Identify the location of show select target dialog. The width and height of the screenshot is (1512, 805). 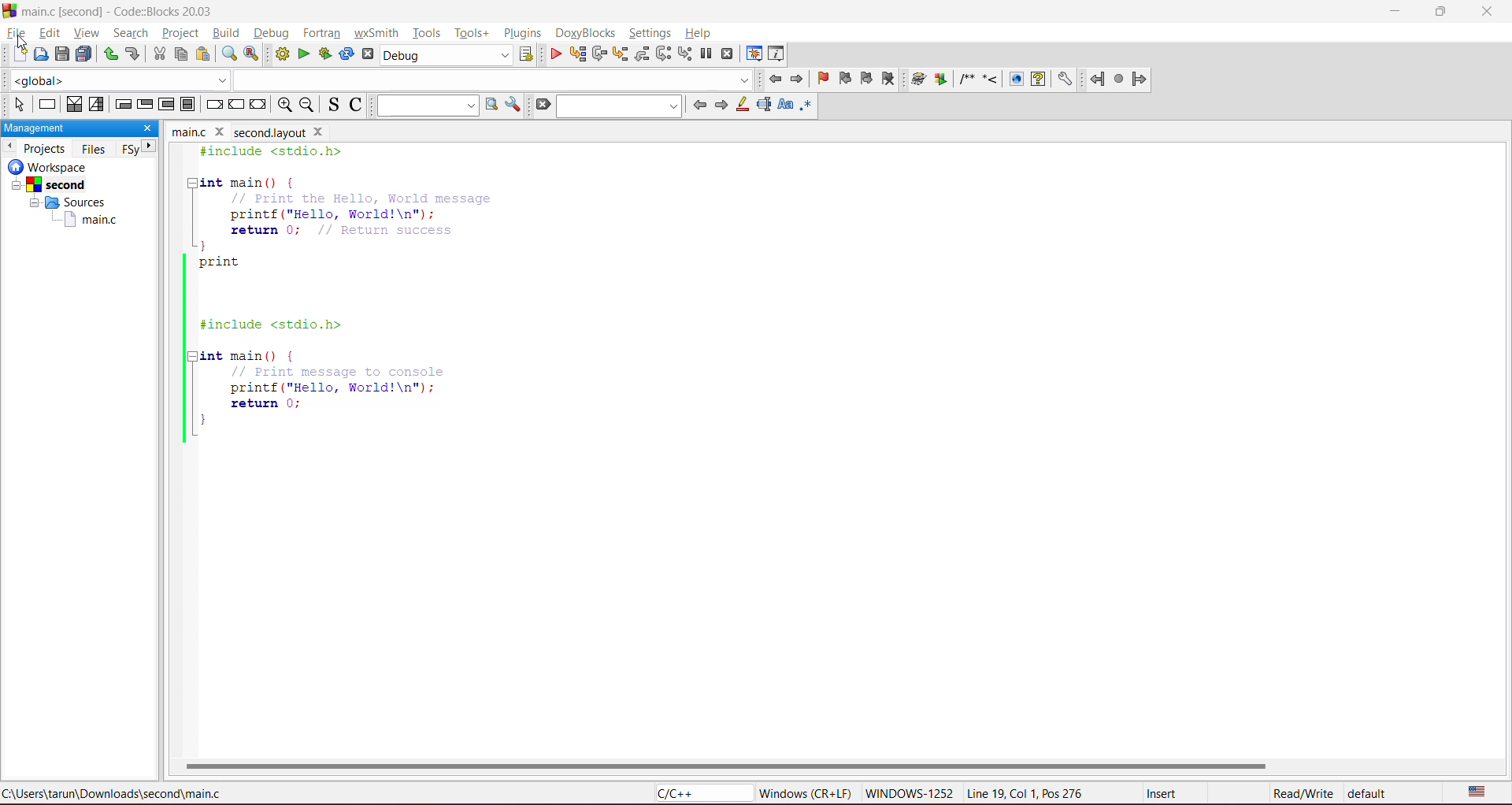
(528, 56).